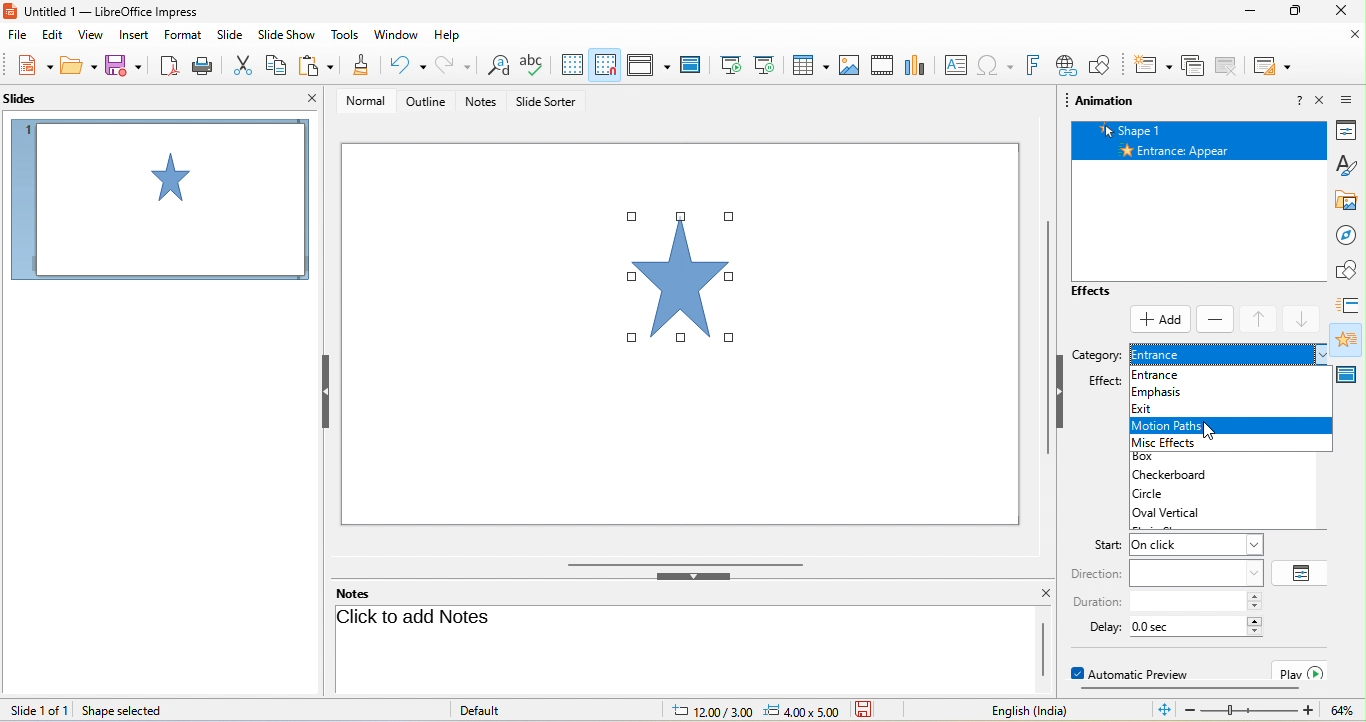  Describe the element at coordinates (1216, 319) in the screenshot. I see `remove effect` at that location.